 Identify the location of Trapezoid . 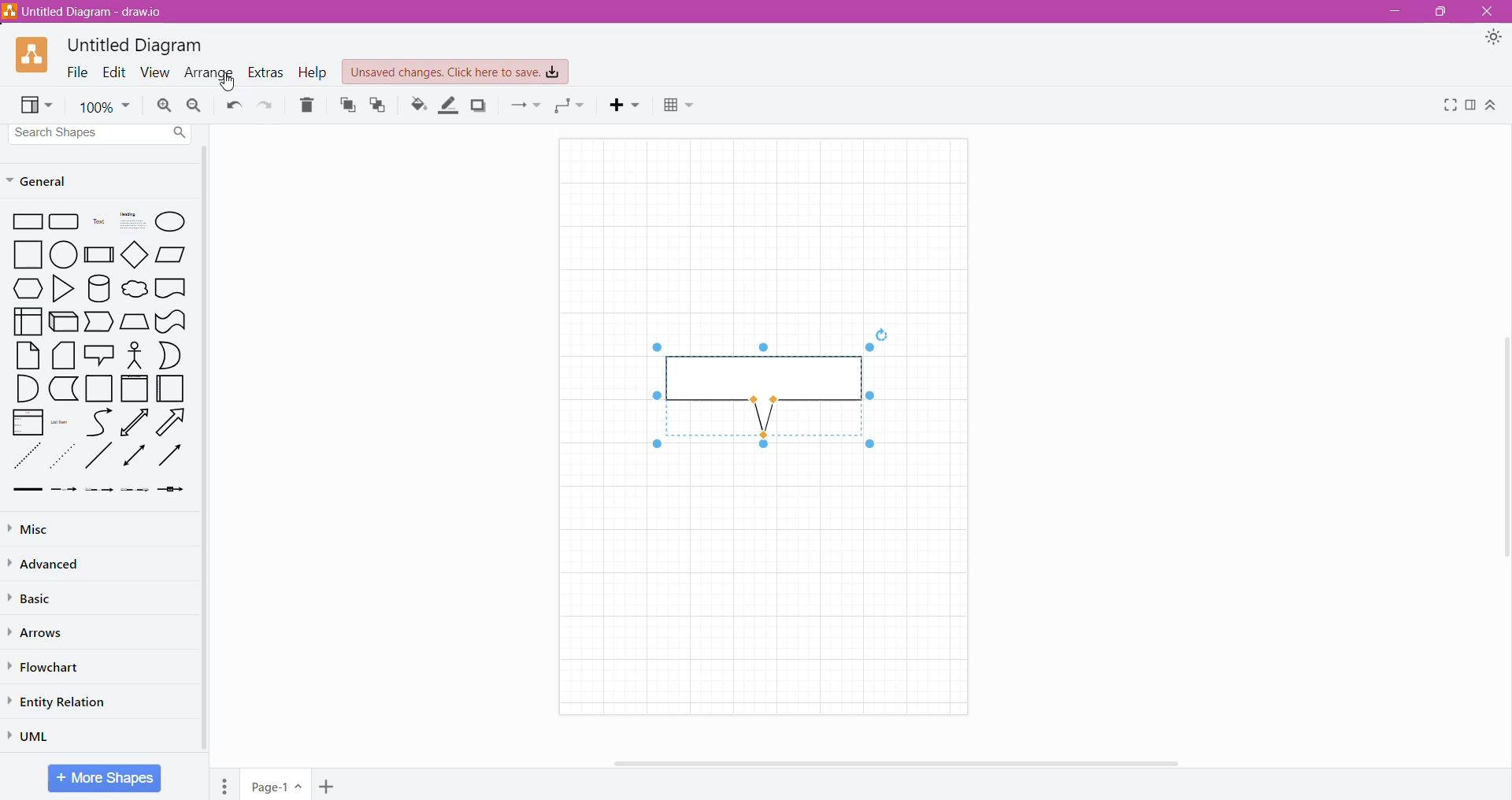
(100, 322).